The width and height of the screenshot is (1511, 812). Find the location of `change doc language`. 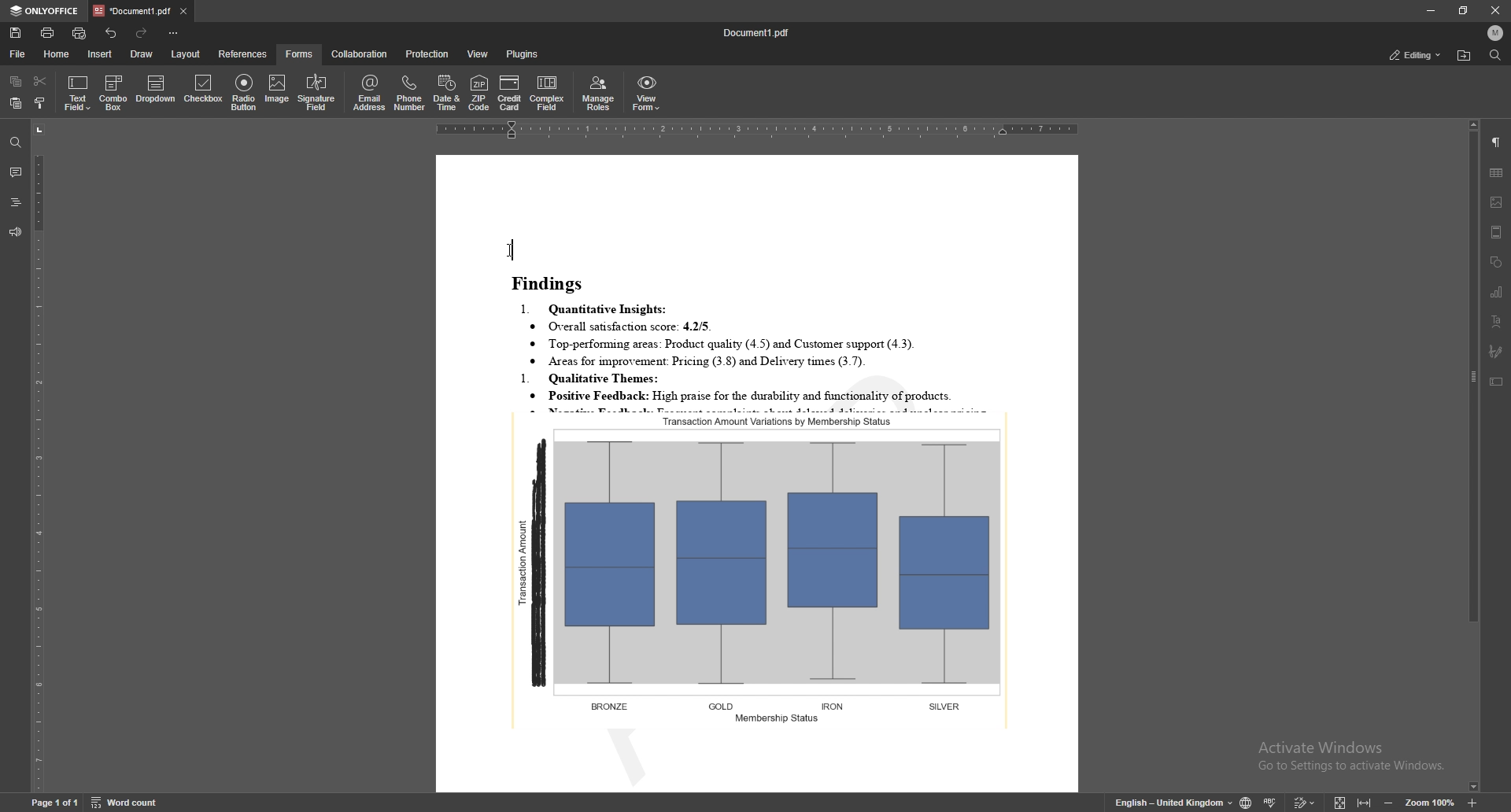

change doc language is located at coordinates (1245, 802).